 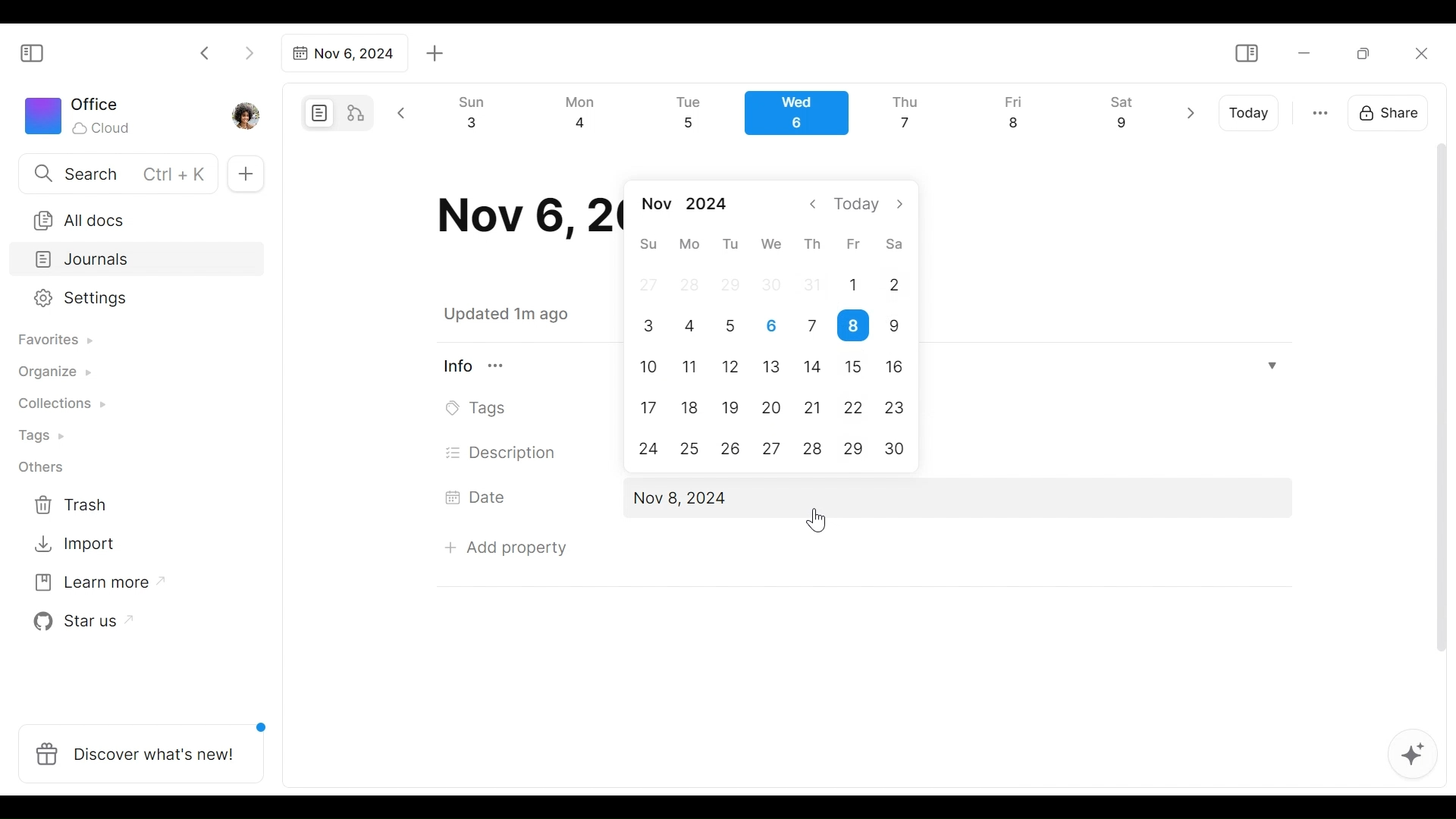 What do you see at coordinates (1413, 756) in the screenshot?
I see `AFFiNE AI` at bounding box center [1413, 756].